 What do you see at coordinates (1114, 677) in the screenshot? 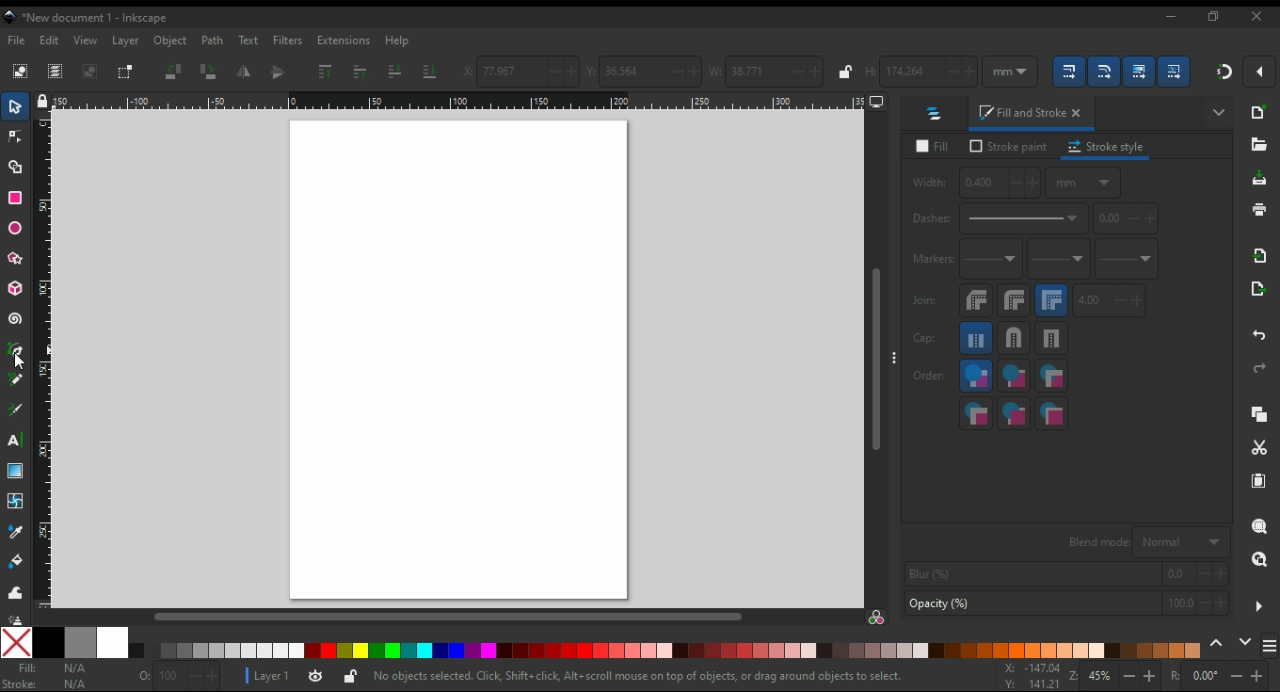
I see `zoom im/zoom out` at bounding box center [1114, 677].